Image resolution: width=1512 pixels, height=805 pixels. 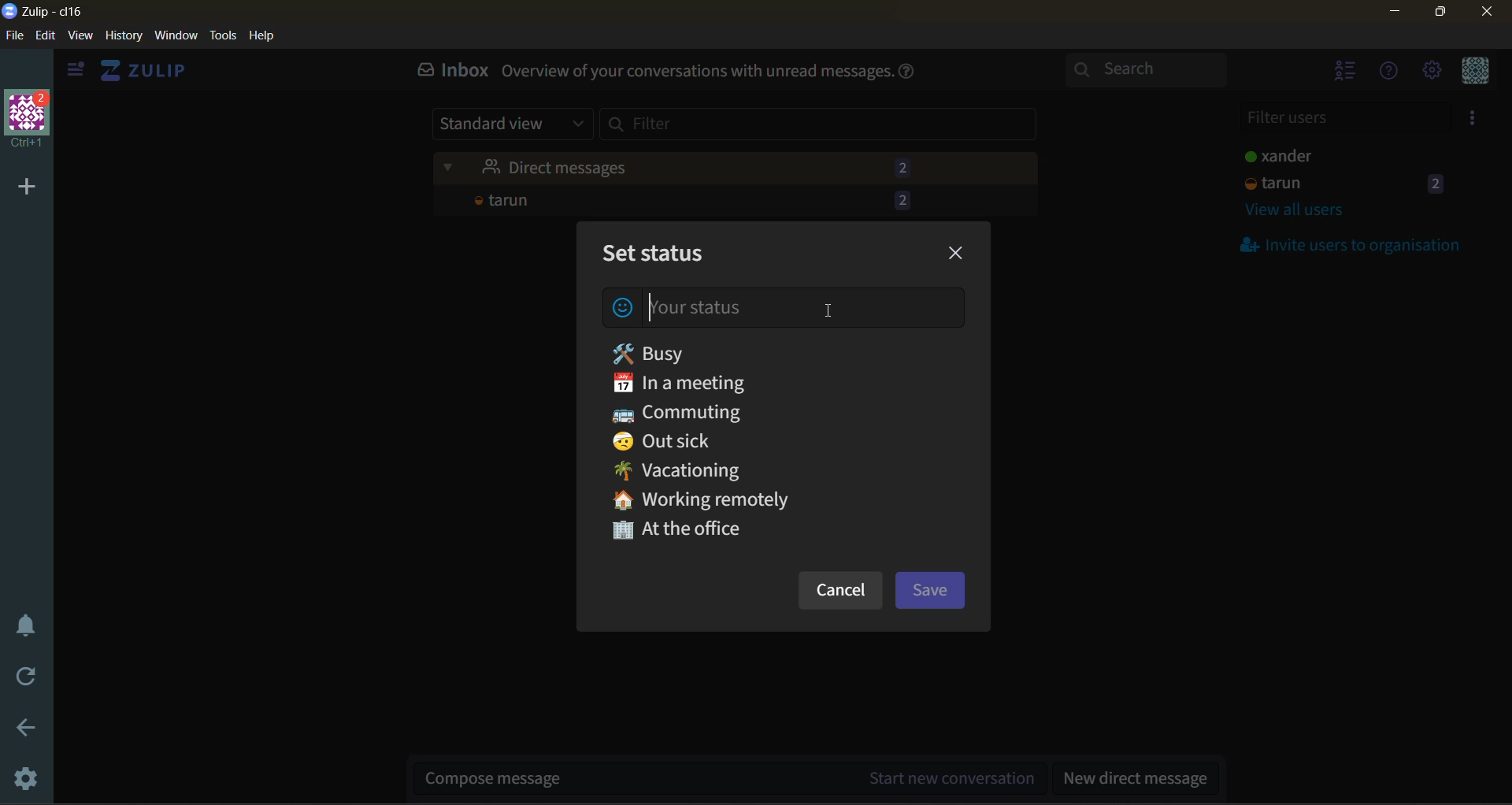 I want to click on go back, so click(x=26, y=730).